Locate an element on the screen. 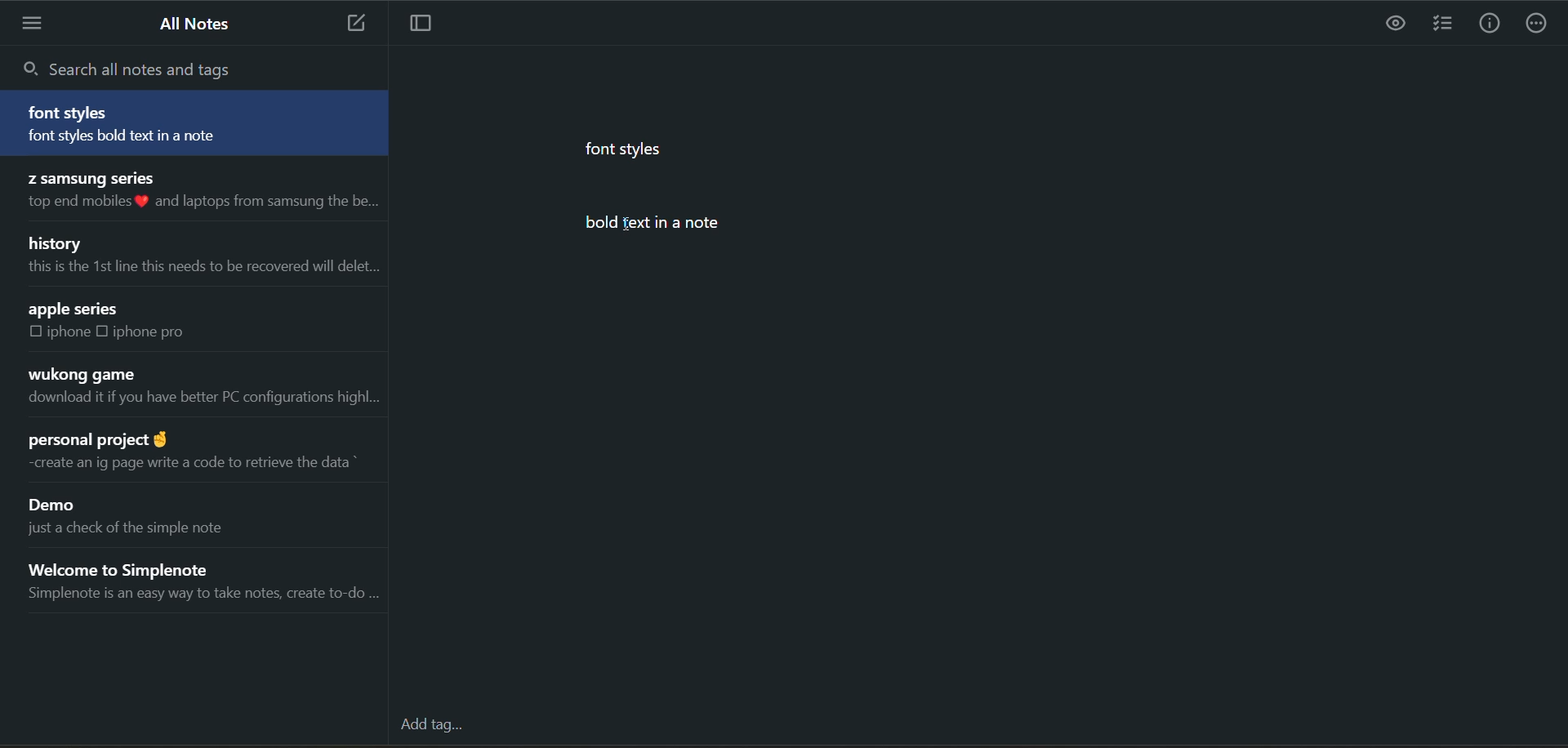 The width and height of the screenshot is (1568, 748). personal project @ is located at coordinates (96, 435).